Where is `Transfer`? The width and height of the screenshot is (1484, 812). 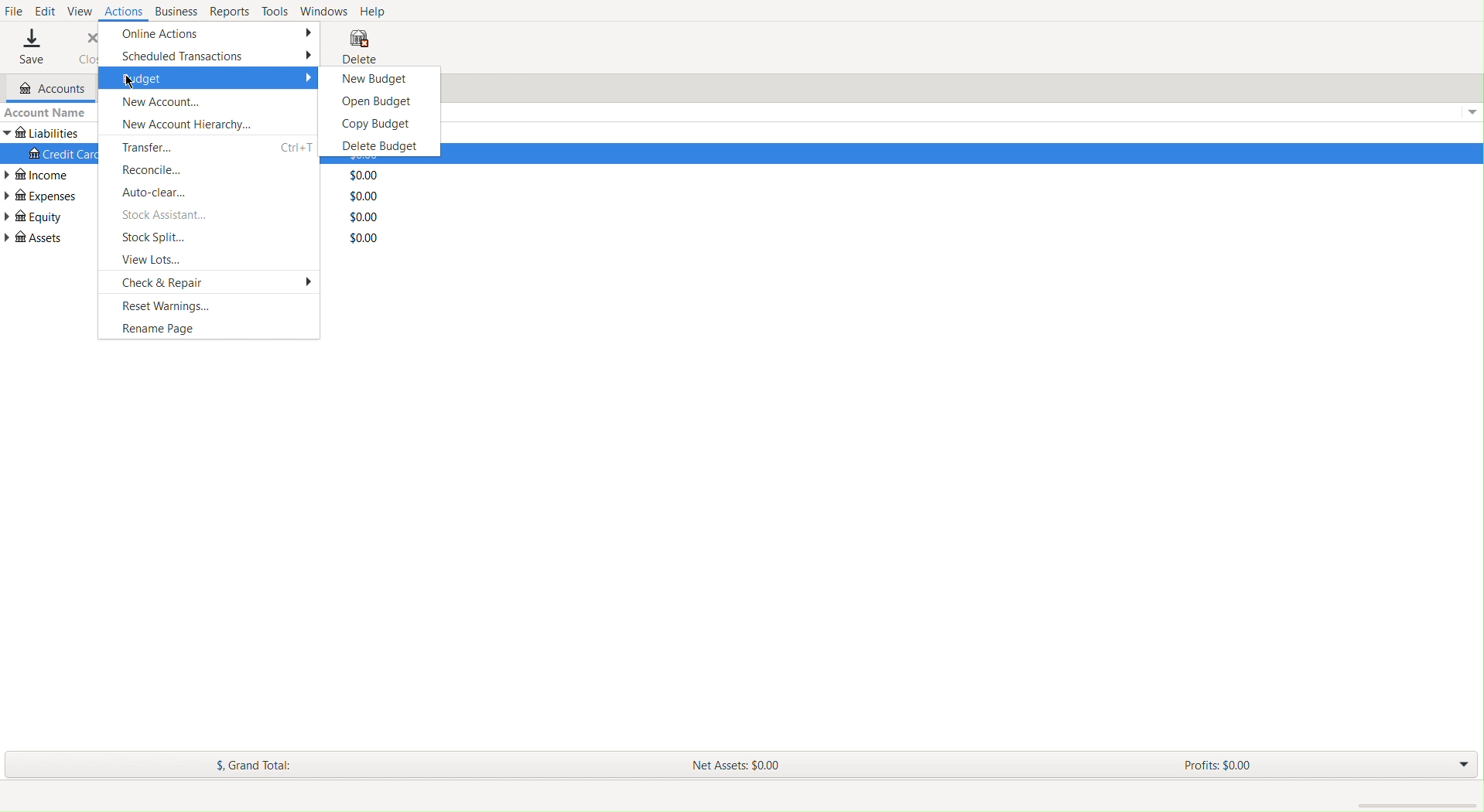 Transfer is located at coordinates (157, 145).